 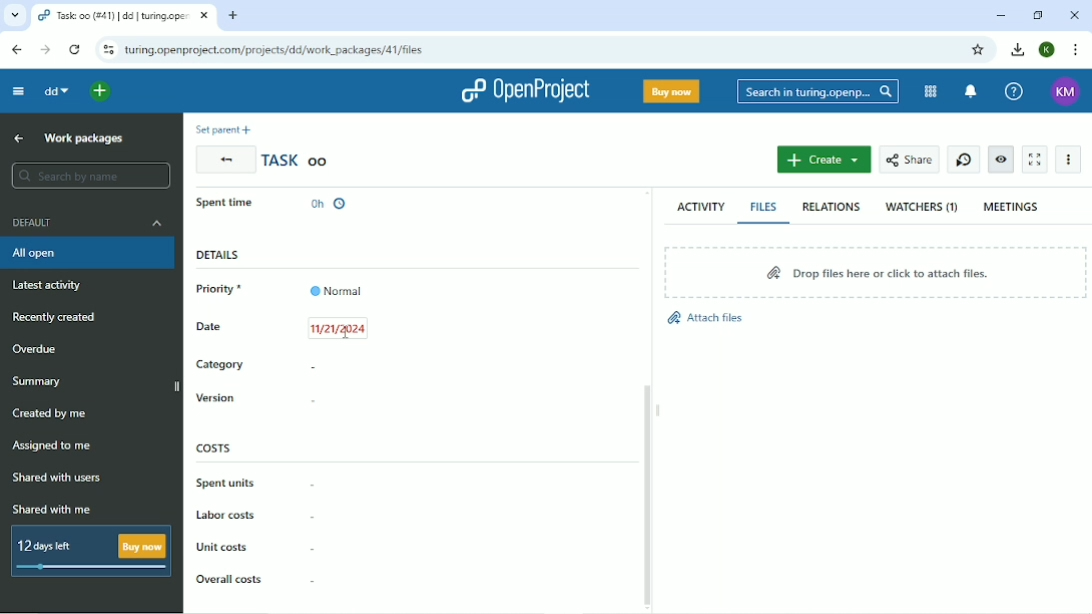 What do you see at coordinates (317, 487) in the screenshot?
I see `-` at bounding box center [317, 487].